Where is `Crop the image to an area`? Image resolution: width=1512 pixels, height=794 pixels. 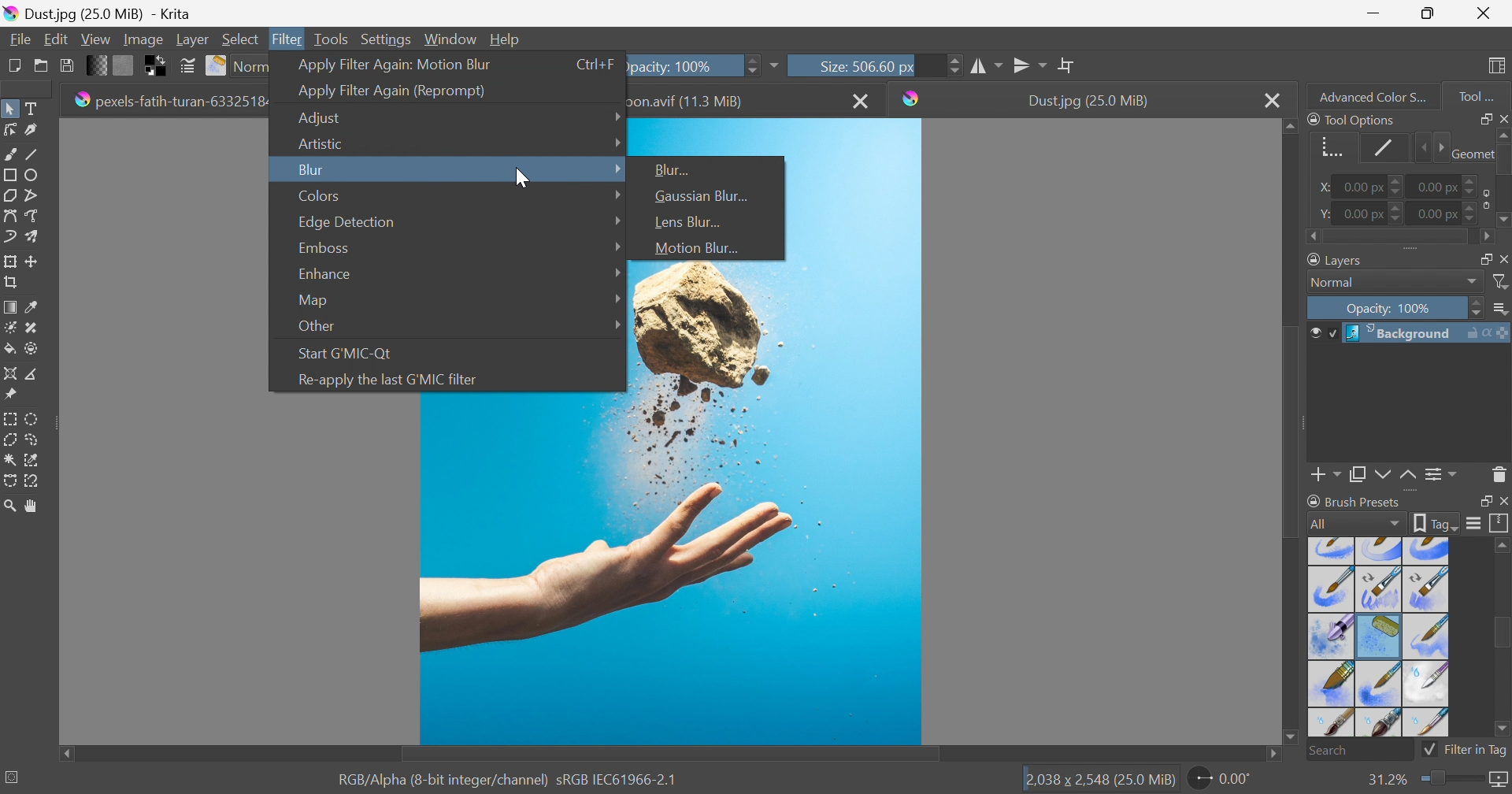
Crop the image to an area is located at coordinates (13, 284).